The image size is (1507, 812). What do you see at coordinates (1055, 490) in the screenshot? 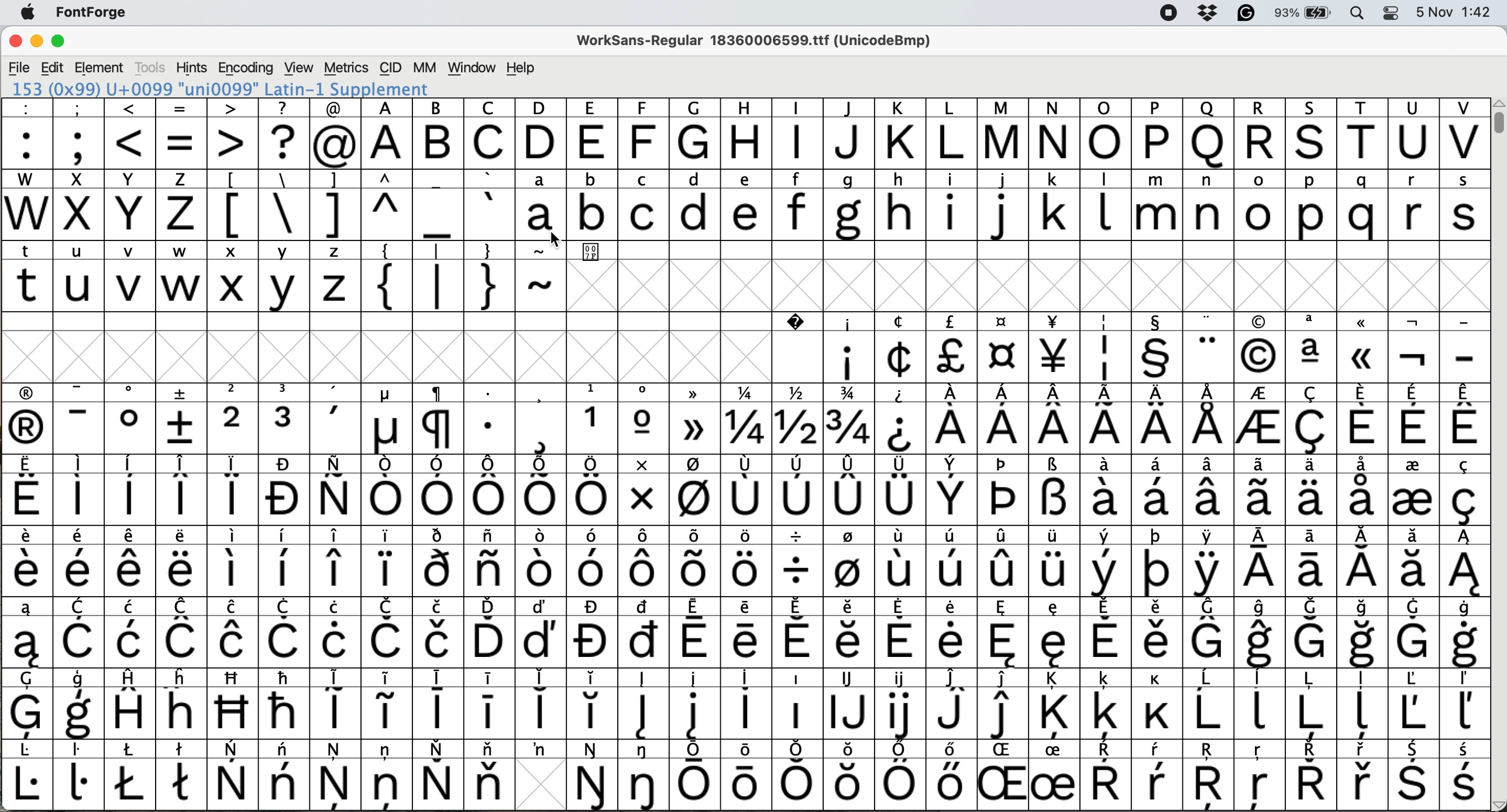
I see `symbol` at bounding box center [1055, 490].